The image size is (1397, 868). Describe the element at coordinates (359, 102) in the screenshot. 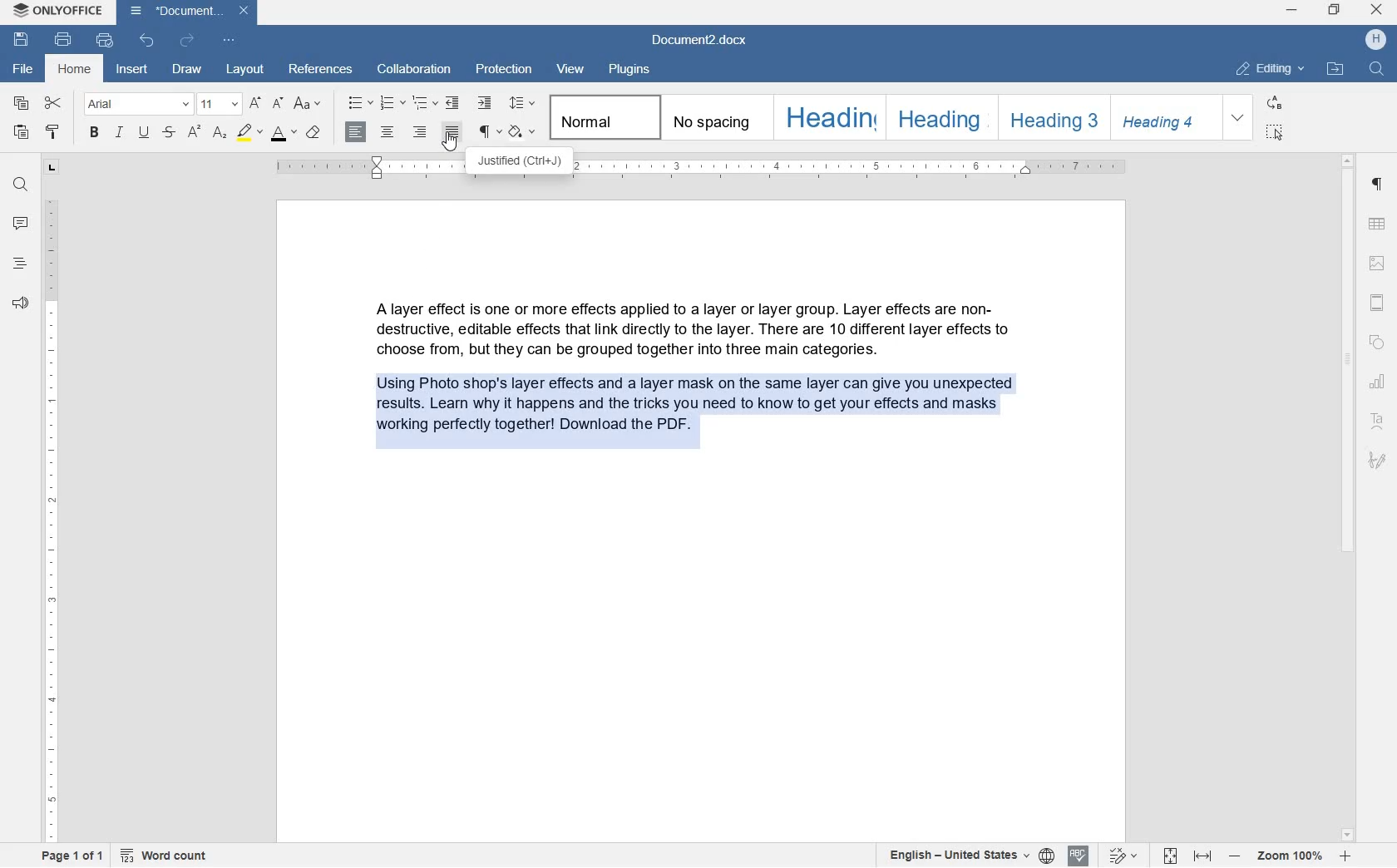

I see `BULLETS` at that location.